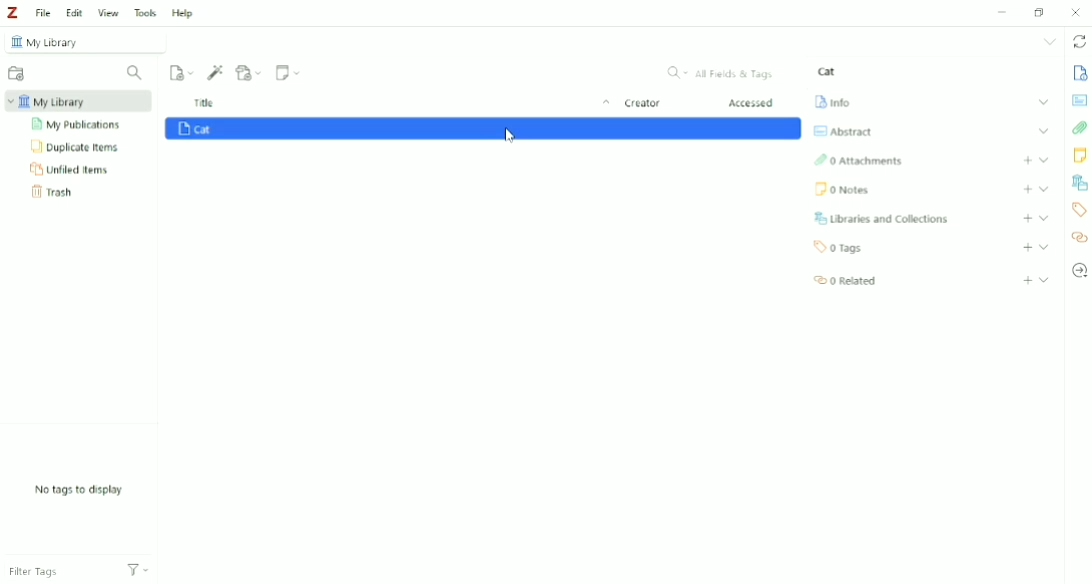 The image size is (1092, 584). I want to click on Creator, so click(642, 104).